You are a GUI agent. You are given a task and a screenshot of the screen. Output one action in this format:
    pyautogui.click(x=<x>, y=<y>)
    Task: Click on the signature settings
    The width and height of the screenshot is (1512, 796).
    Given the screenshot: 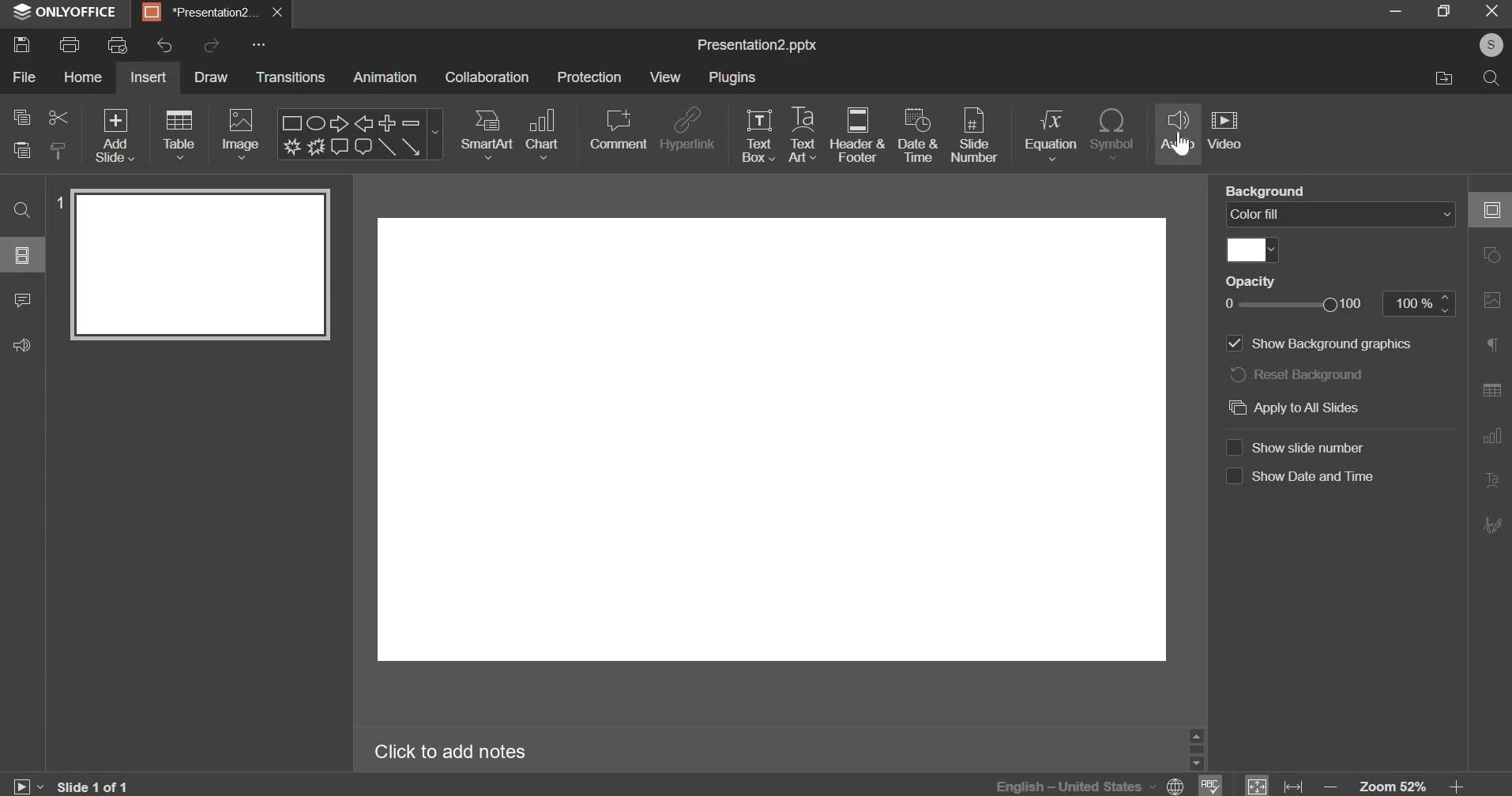 What is the action you would take?
    pyautogui.click(x=1490, y=524)
    